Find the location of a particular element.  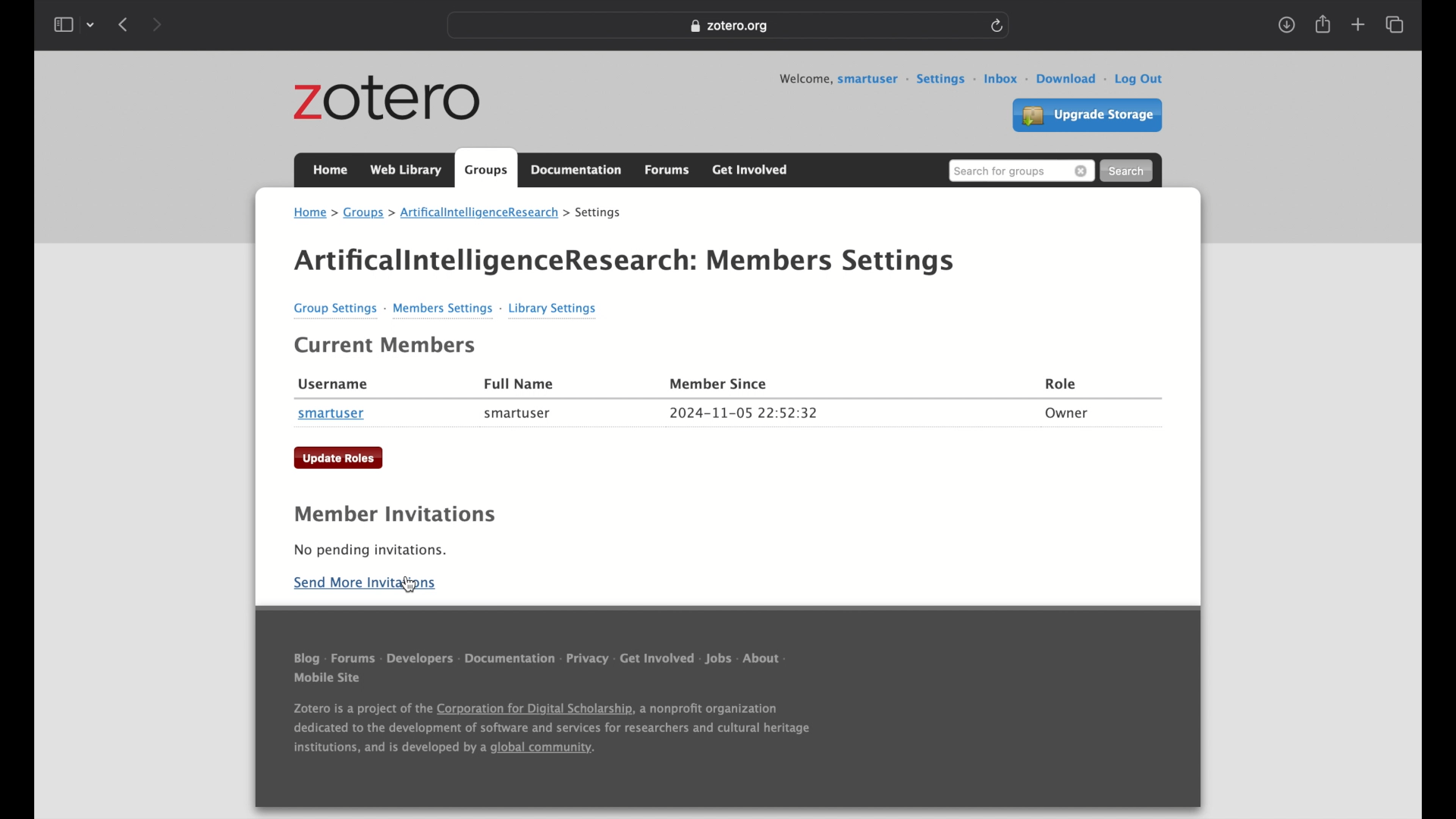

artificialintelligenceresearch is located at coordinates (496, 262).